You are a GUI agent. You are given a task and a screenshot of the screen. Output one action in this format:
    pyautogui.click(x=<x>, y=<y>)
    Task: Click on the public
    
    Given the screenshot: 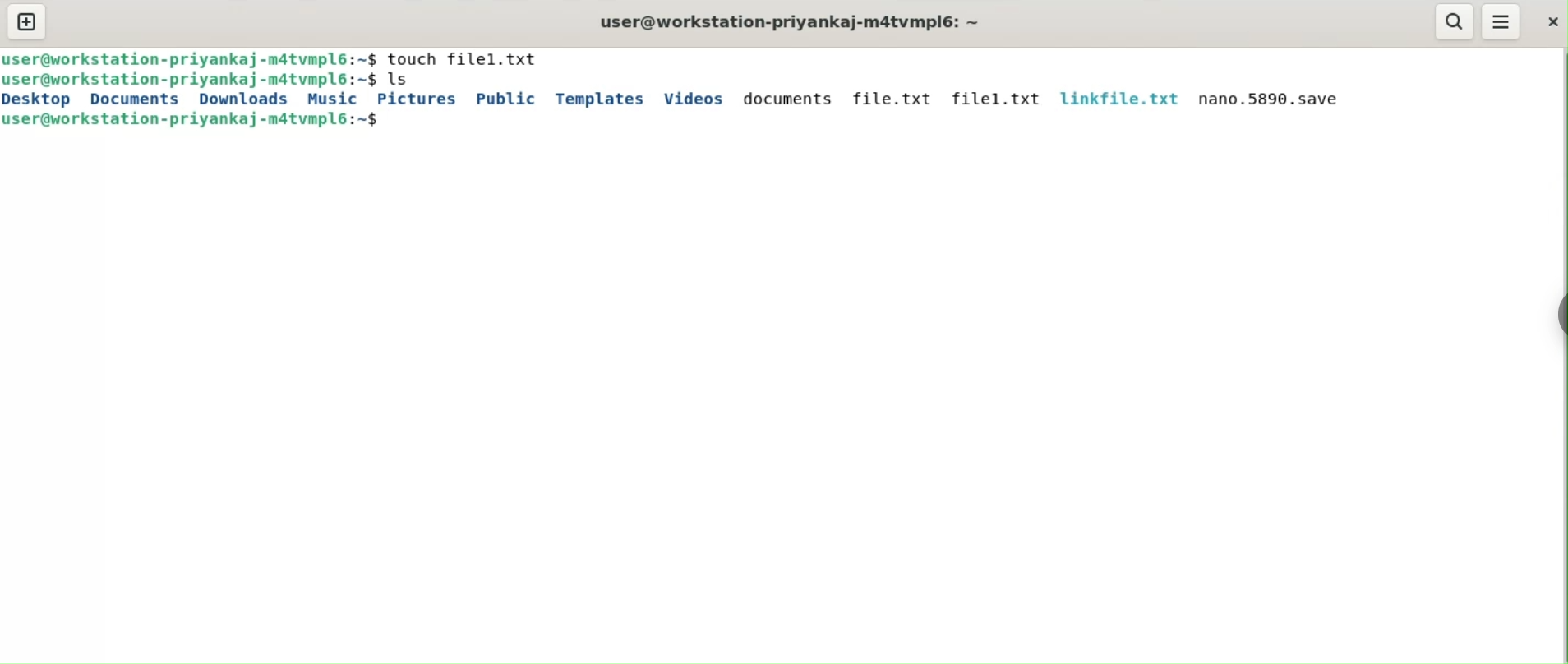 What is the action you would take?
    pyautogui.click(x=505, y=99)
    